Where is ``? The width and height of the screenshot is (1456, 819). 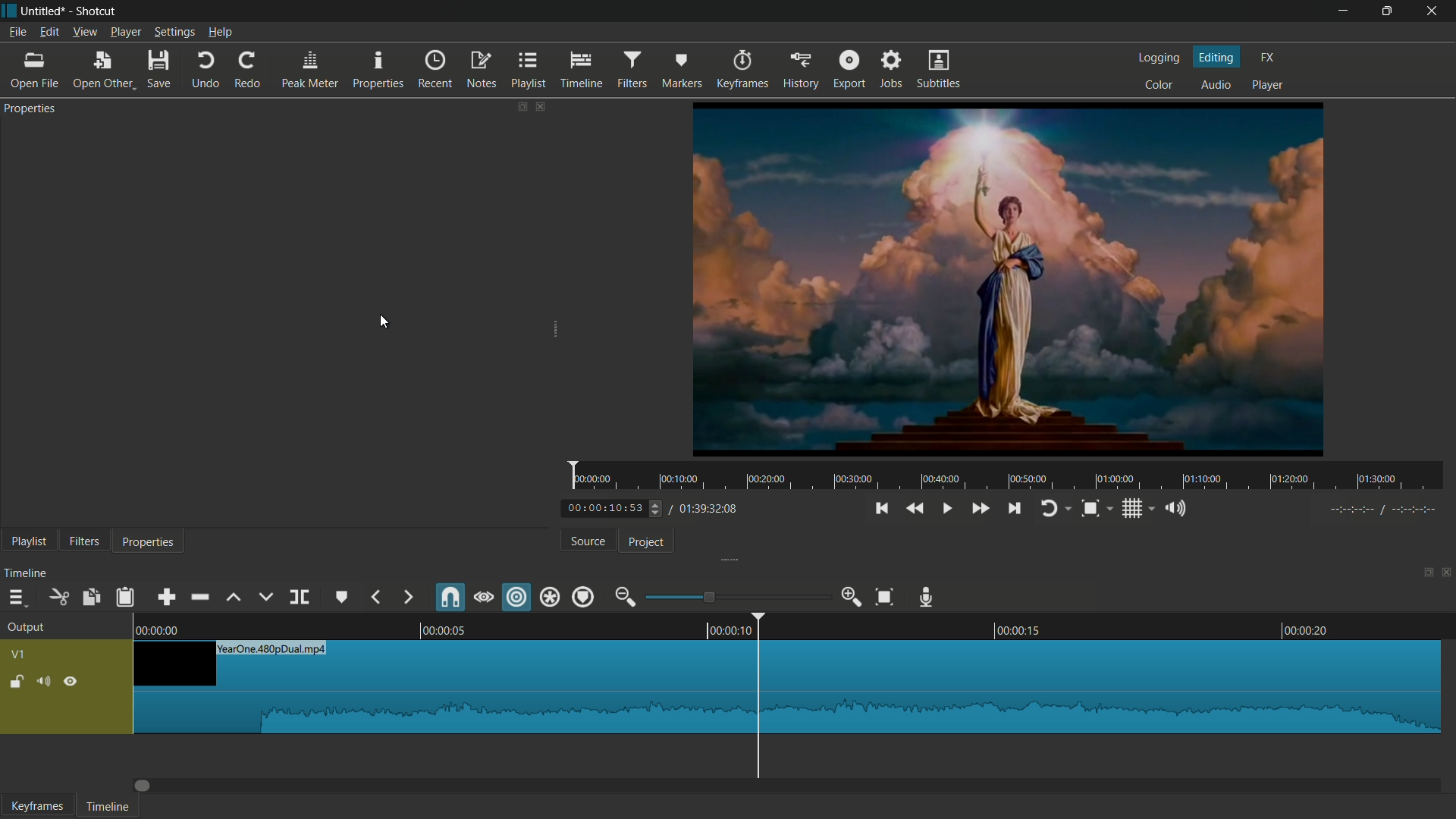
 is located at coordinates (645, 543).